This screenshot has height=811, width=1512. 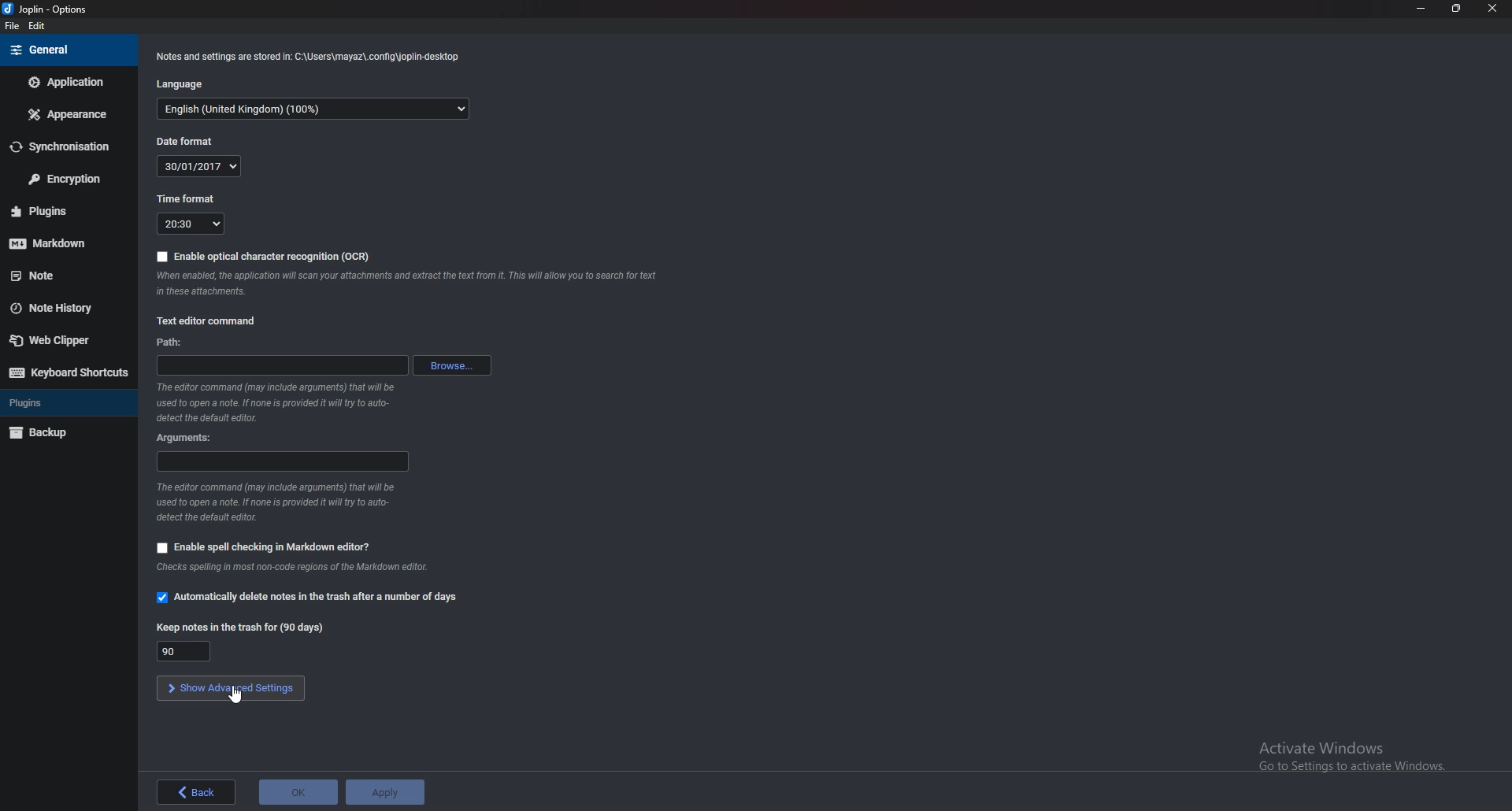 I want to click on Arguments, so click(x=283, y=463).